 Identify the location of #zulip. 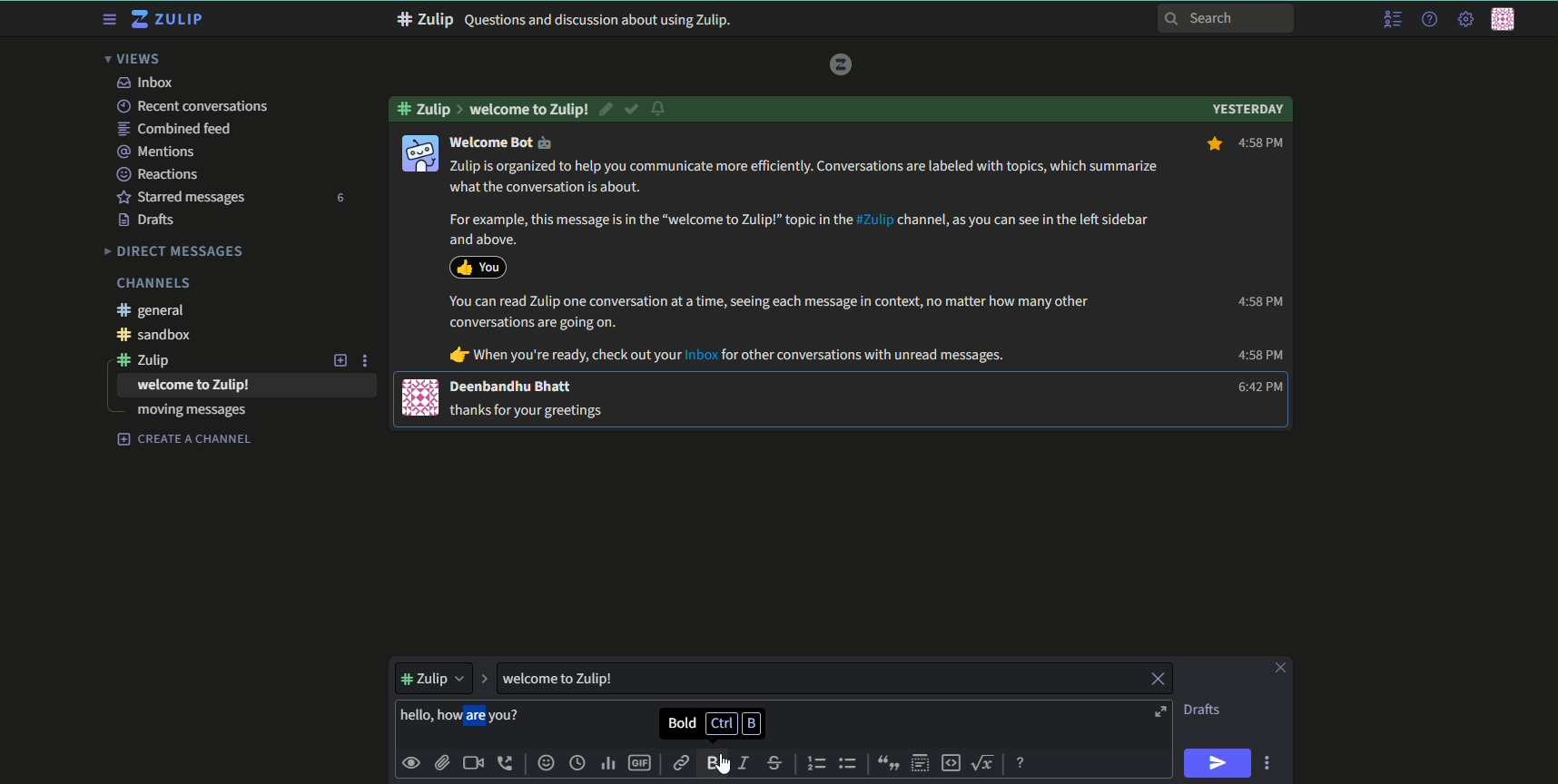
(153, 359).